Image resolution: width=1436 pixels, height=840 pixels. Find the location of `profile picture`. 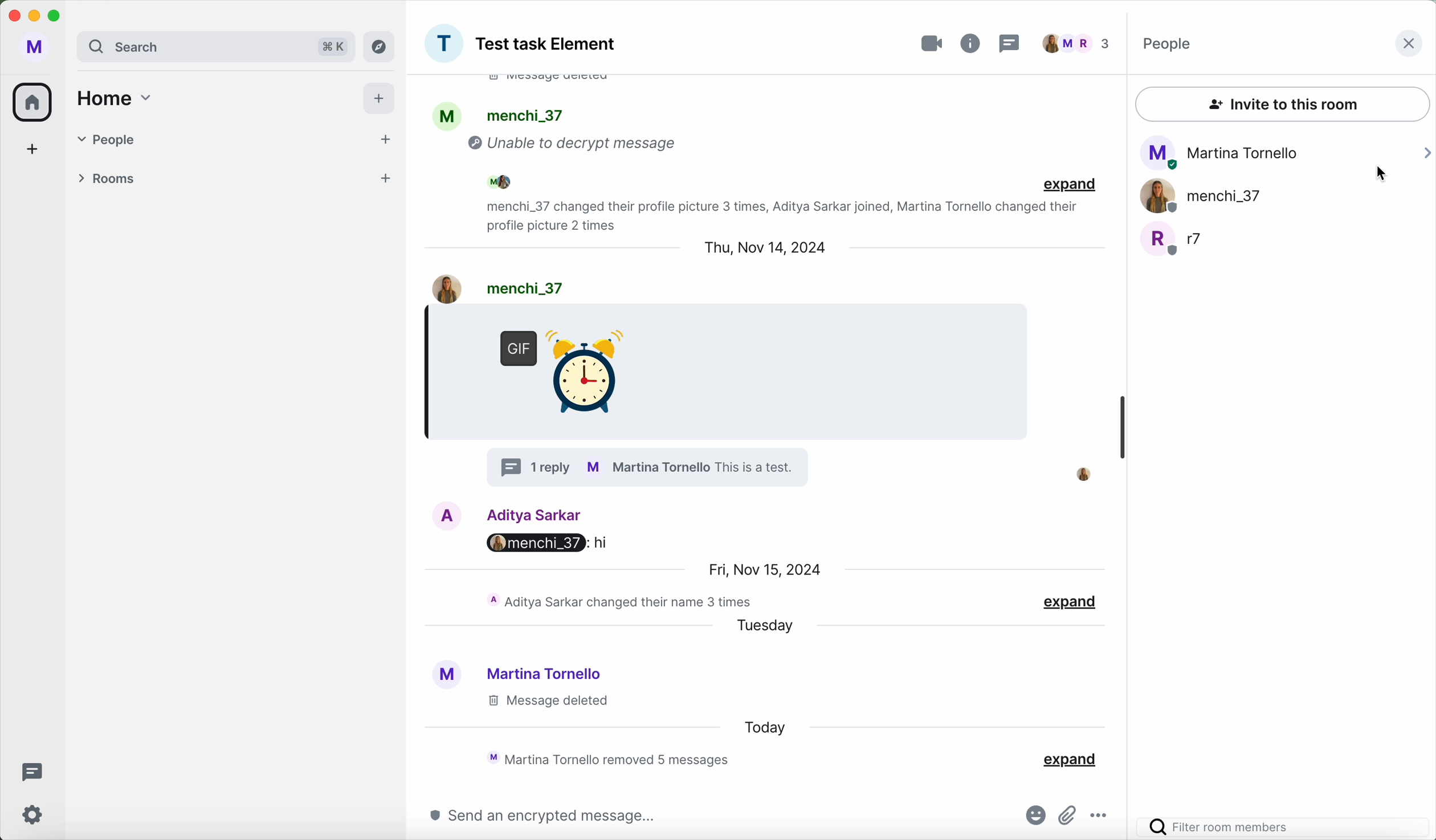

profile picture is located at coordinates (1086, 472).